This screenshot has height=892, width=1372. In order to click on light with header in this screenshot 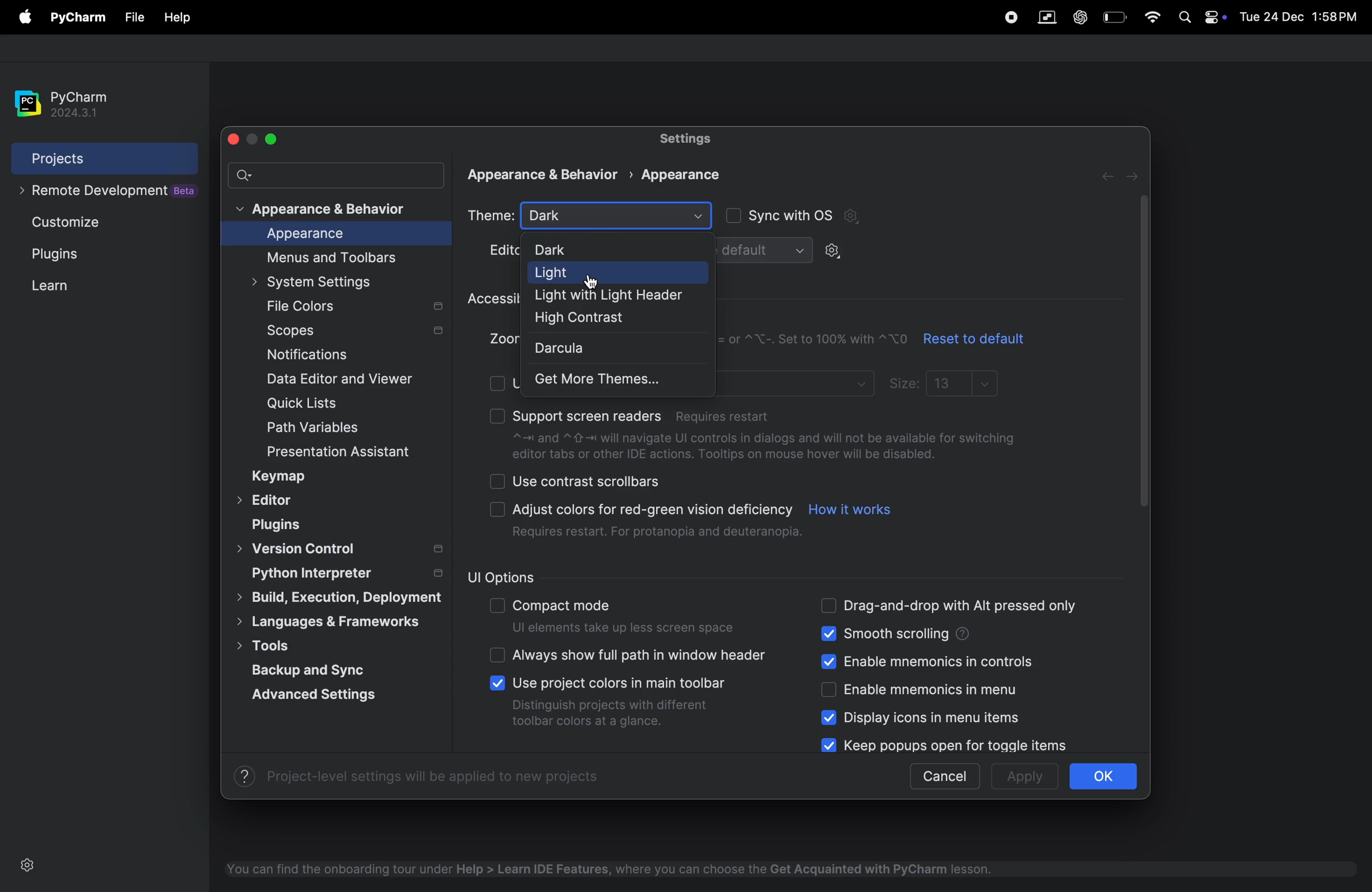, I will do `click(628, 296)`.